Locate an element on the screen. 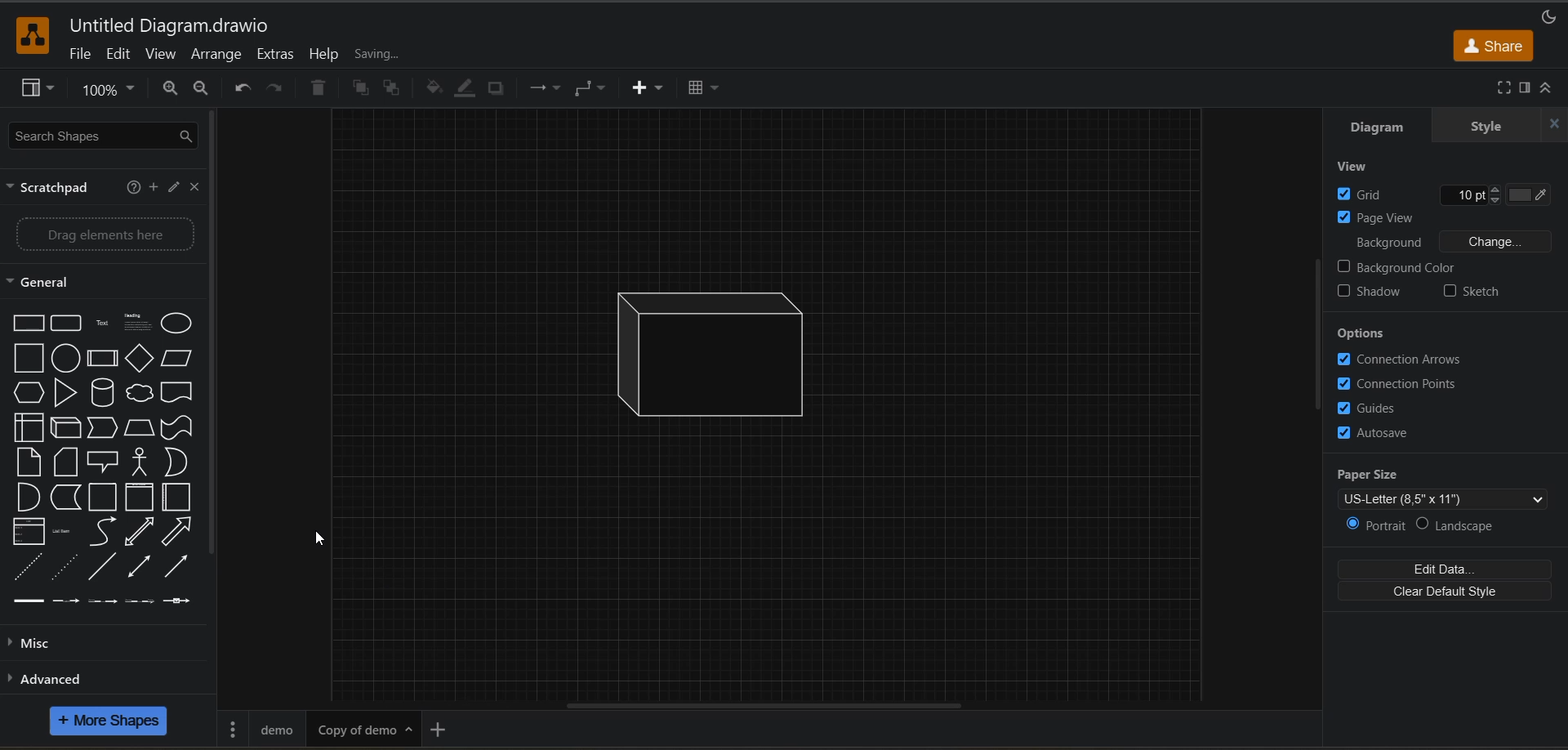 Image resolution: width=1568 pixels, height=750 pixels. cursor is located at coordinates (318, 541).